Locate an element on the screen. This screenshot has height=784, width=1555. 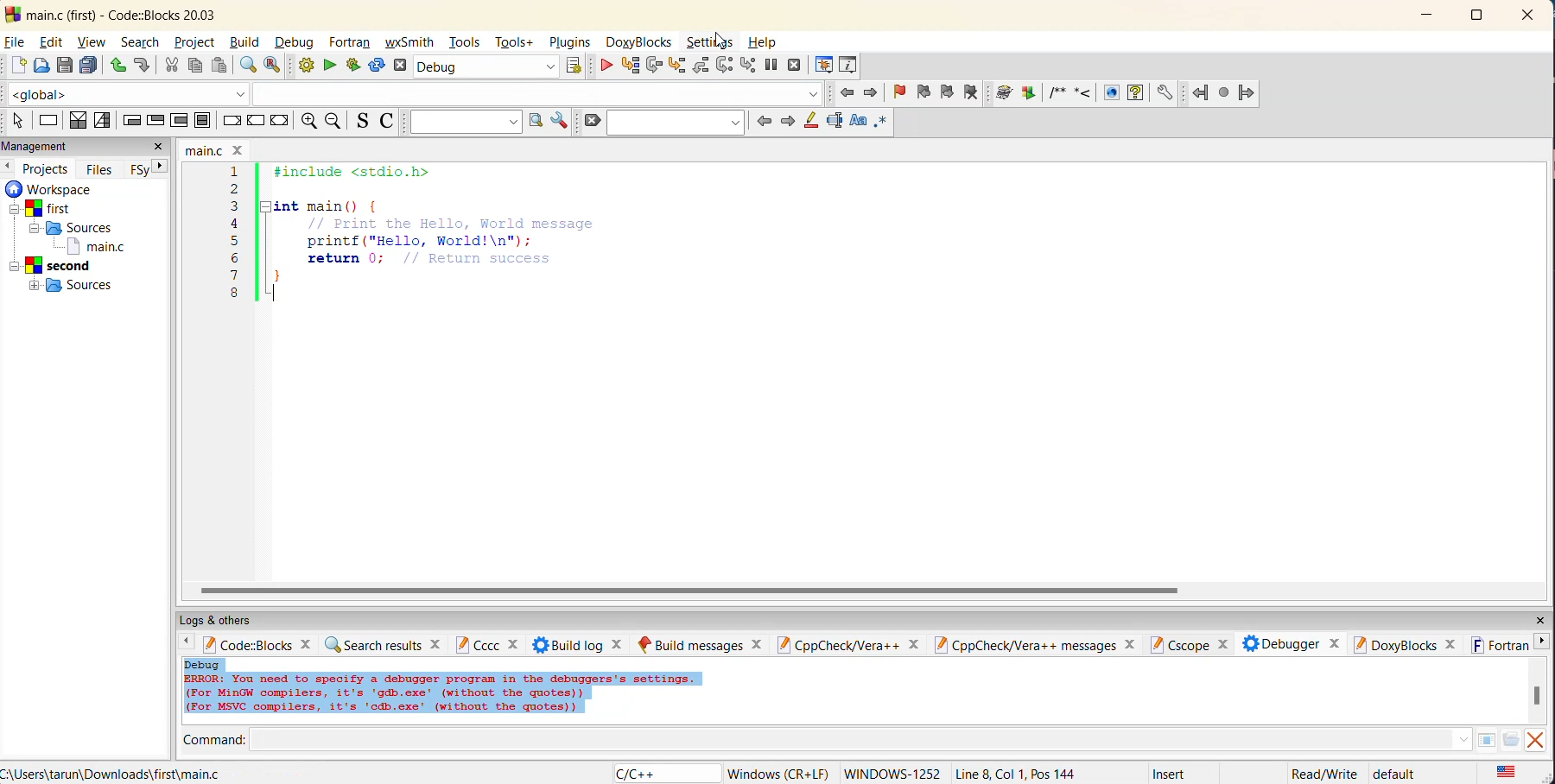
help is located at coordinates (764, 42).